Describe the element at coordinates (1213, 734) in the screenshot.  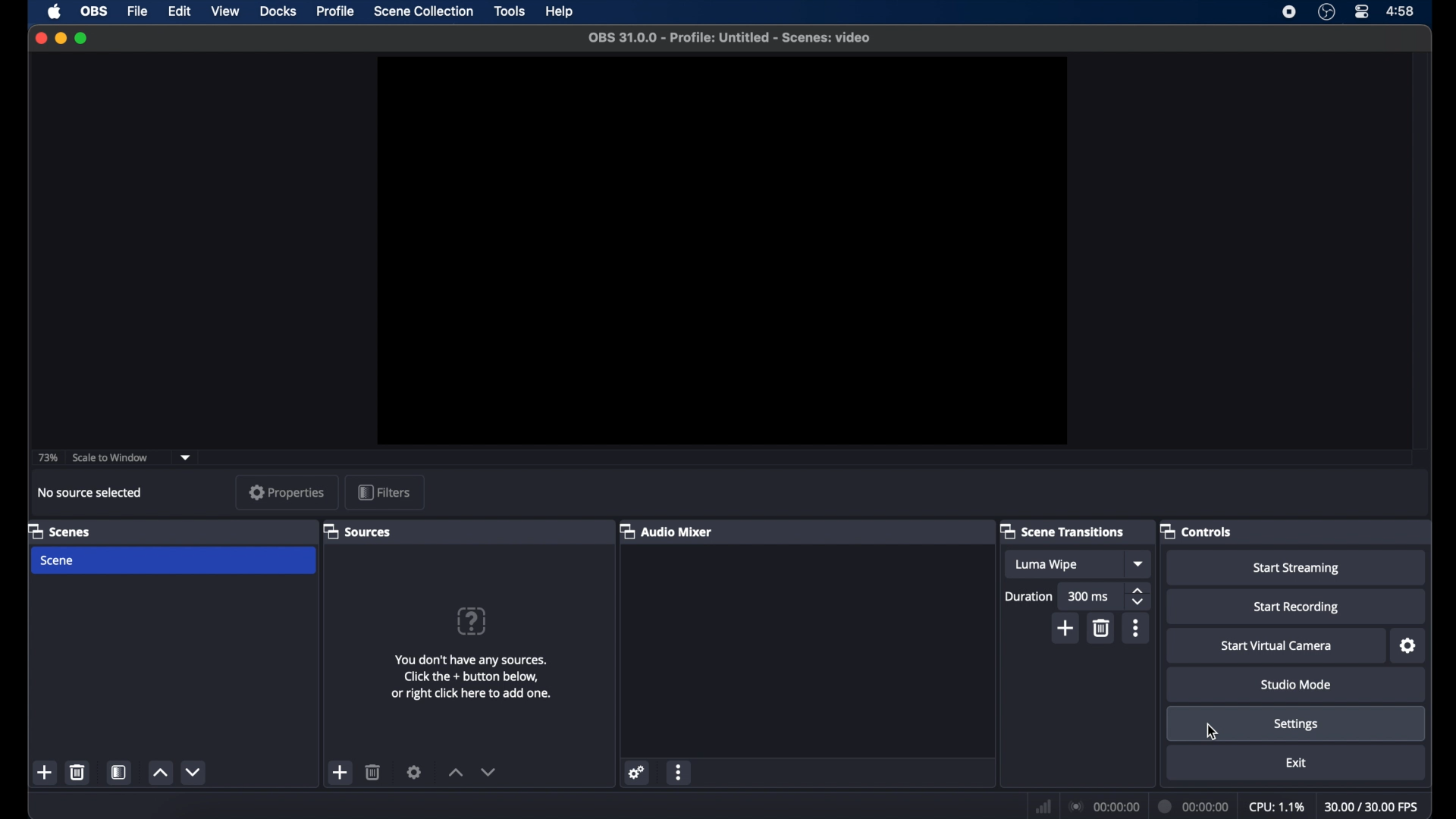
I see `cursor` at that location.